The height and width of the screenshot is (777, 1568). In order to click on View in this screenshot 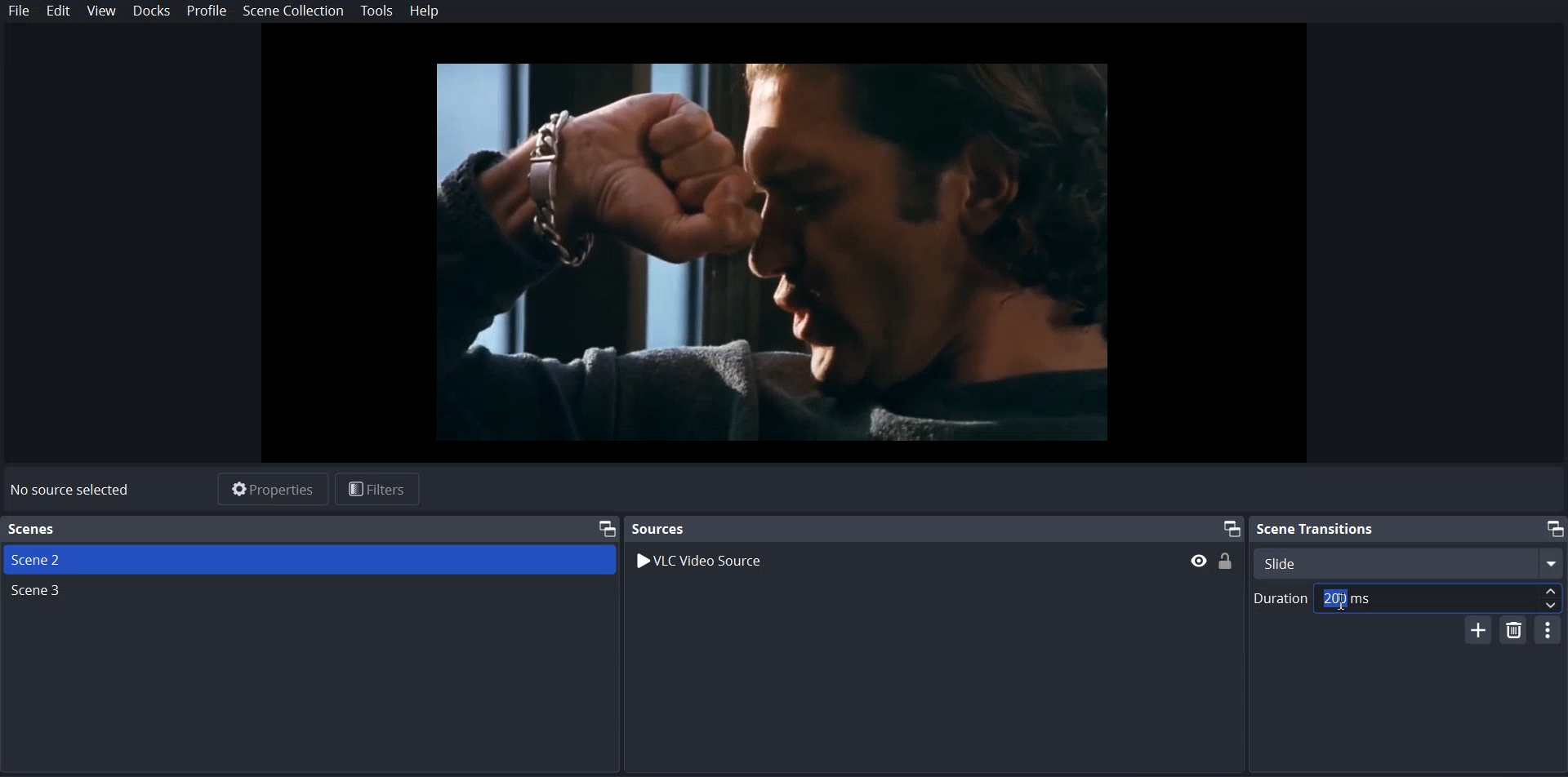, I will do `click(100, 11)`.